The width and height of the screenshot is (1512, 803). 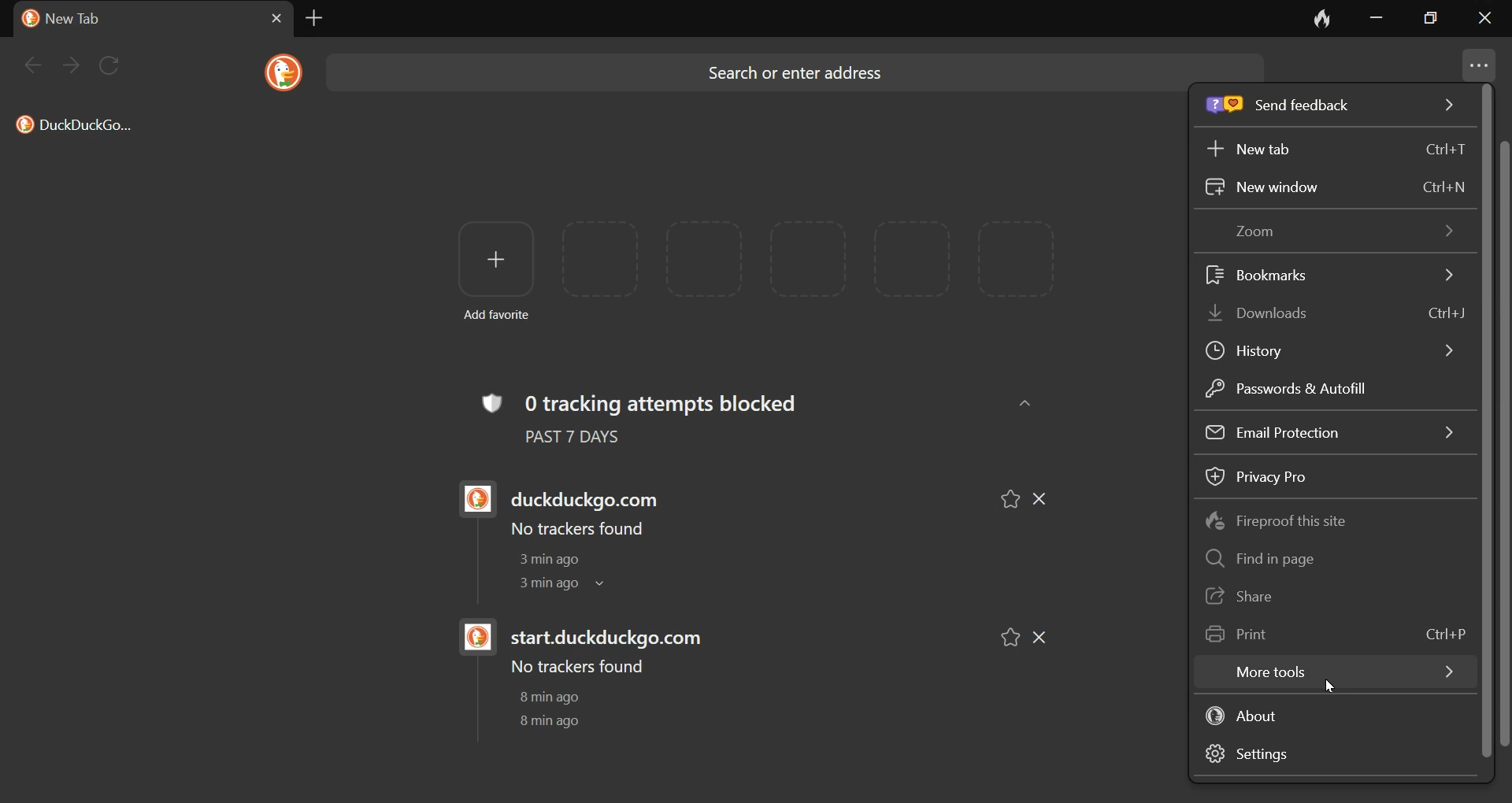 I want to click on cancel, so click(x=265, y=17).